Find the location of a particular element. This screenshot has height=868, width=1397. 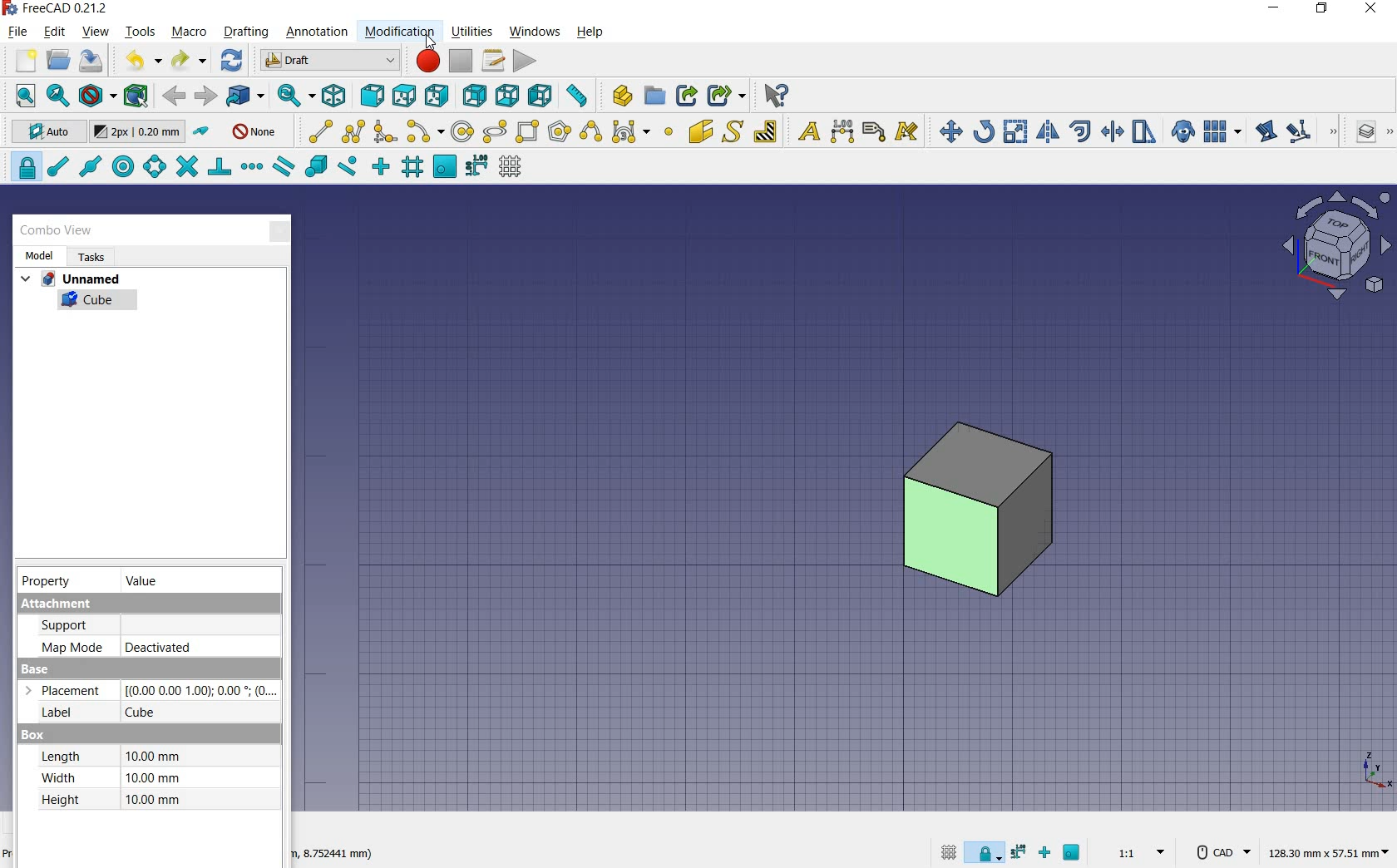

scale is located at coordinates (1016, 131).